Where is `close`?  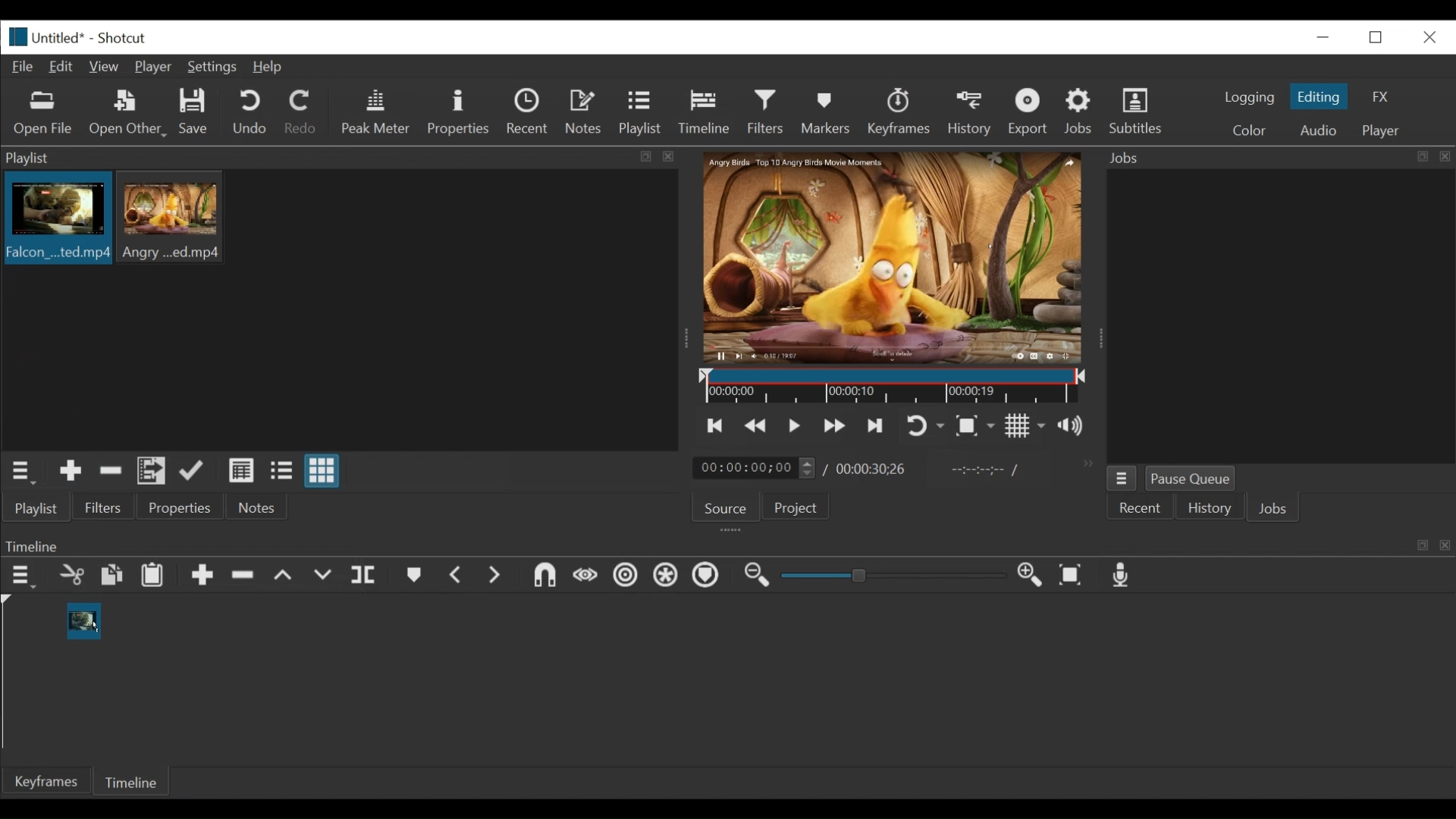 close is located at coordinates (1428, 36).